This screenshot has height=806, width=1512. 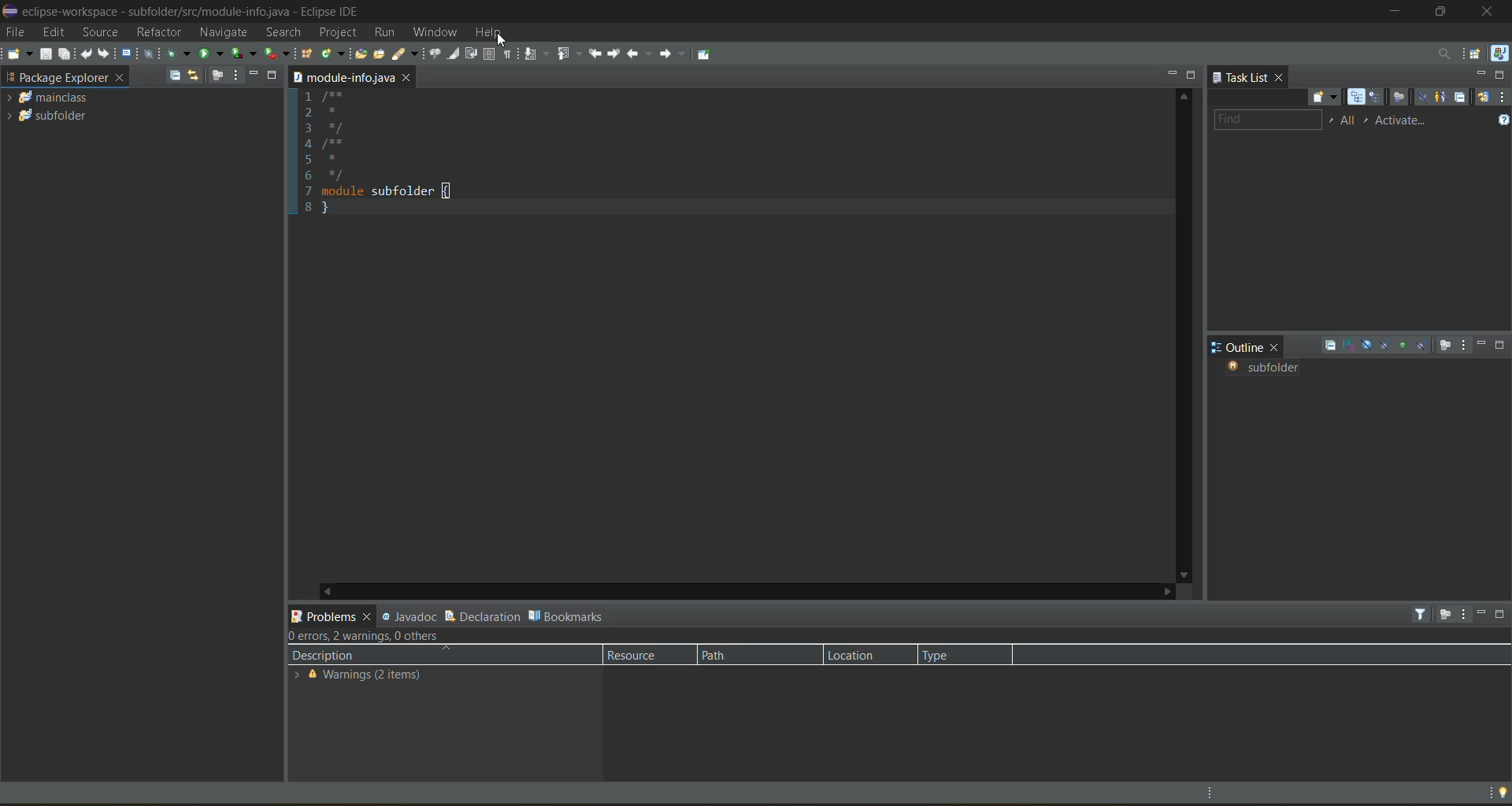 I want to click on maximize, so click(x=1443, y=9).